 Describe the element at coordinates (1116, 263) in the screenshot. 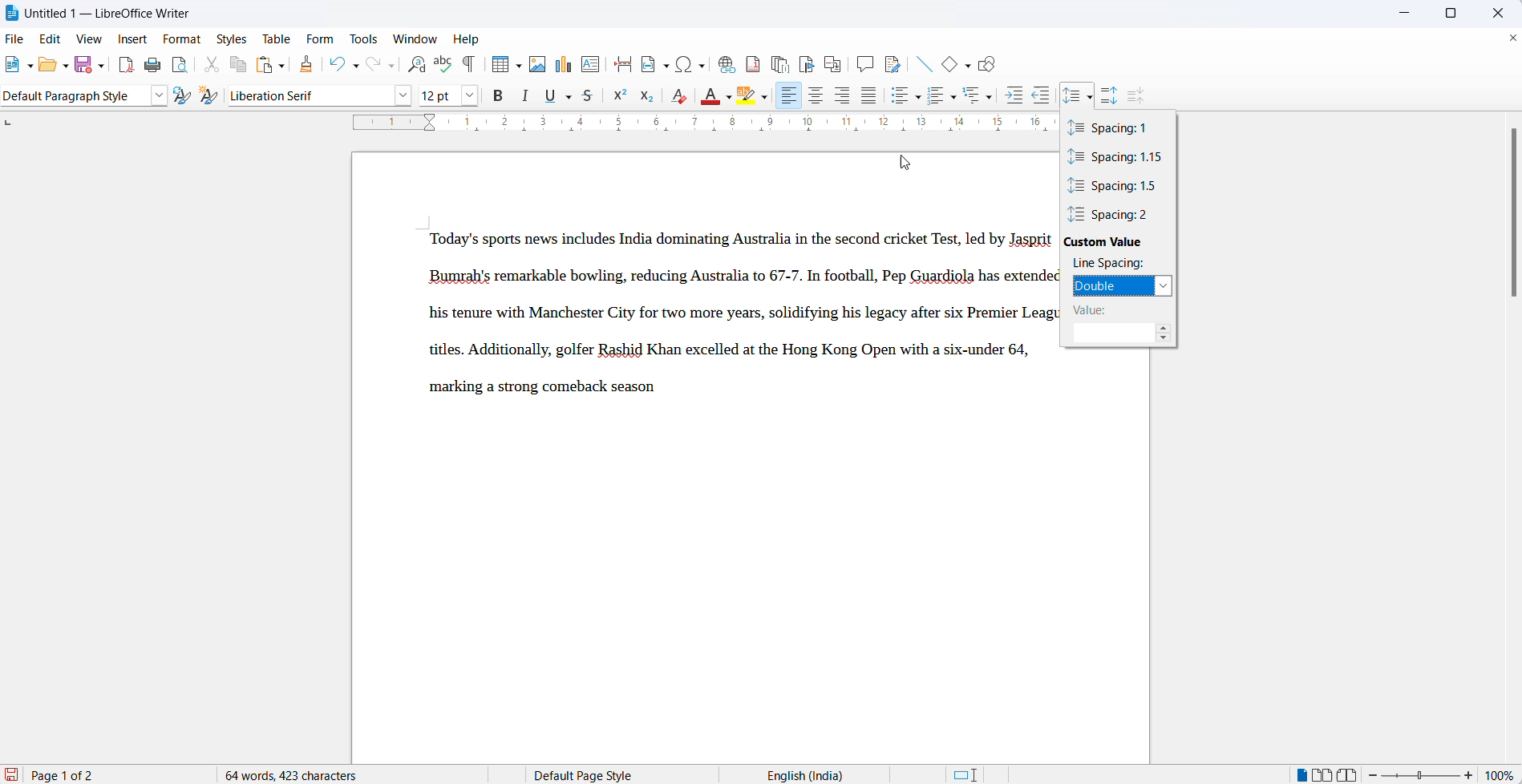

I see `line spacing` at that location.